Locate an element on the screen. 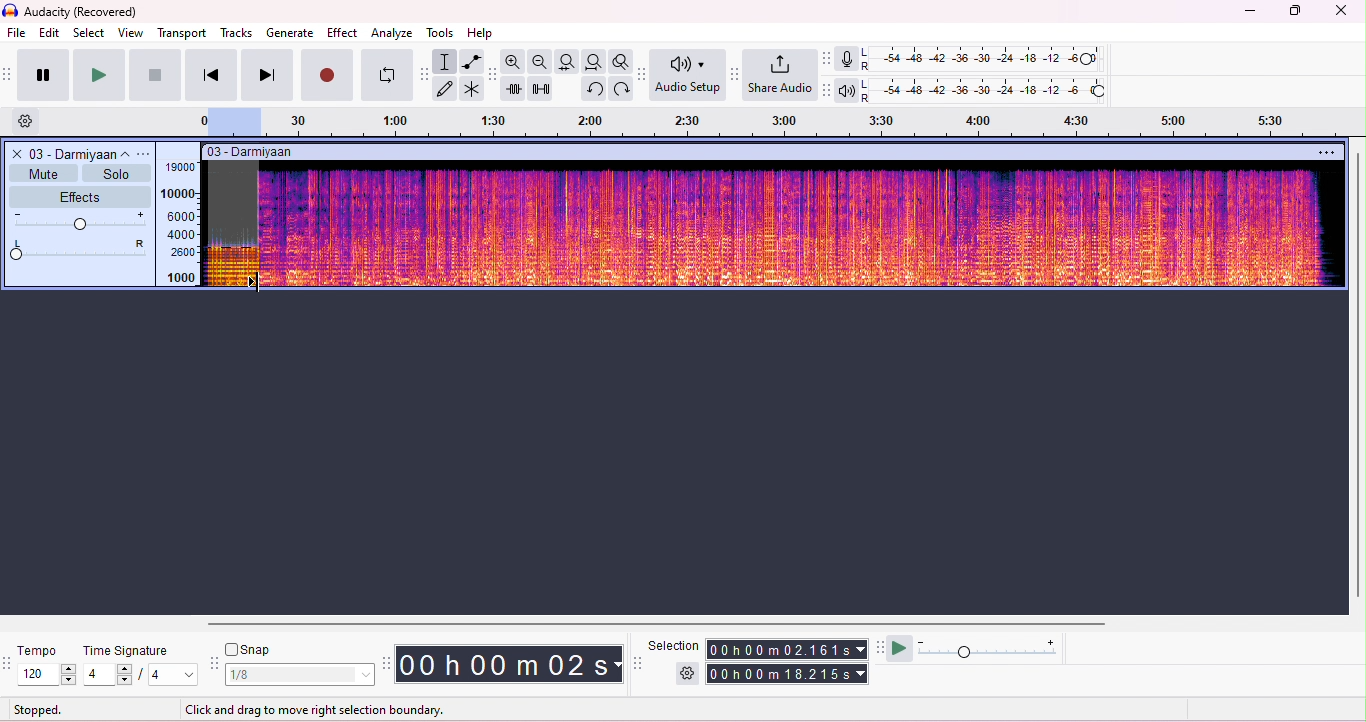 Image resolution: width=1366 pixels, height=722 pixels. previous is located at coordinates (211, 75).